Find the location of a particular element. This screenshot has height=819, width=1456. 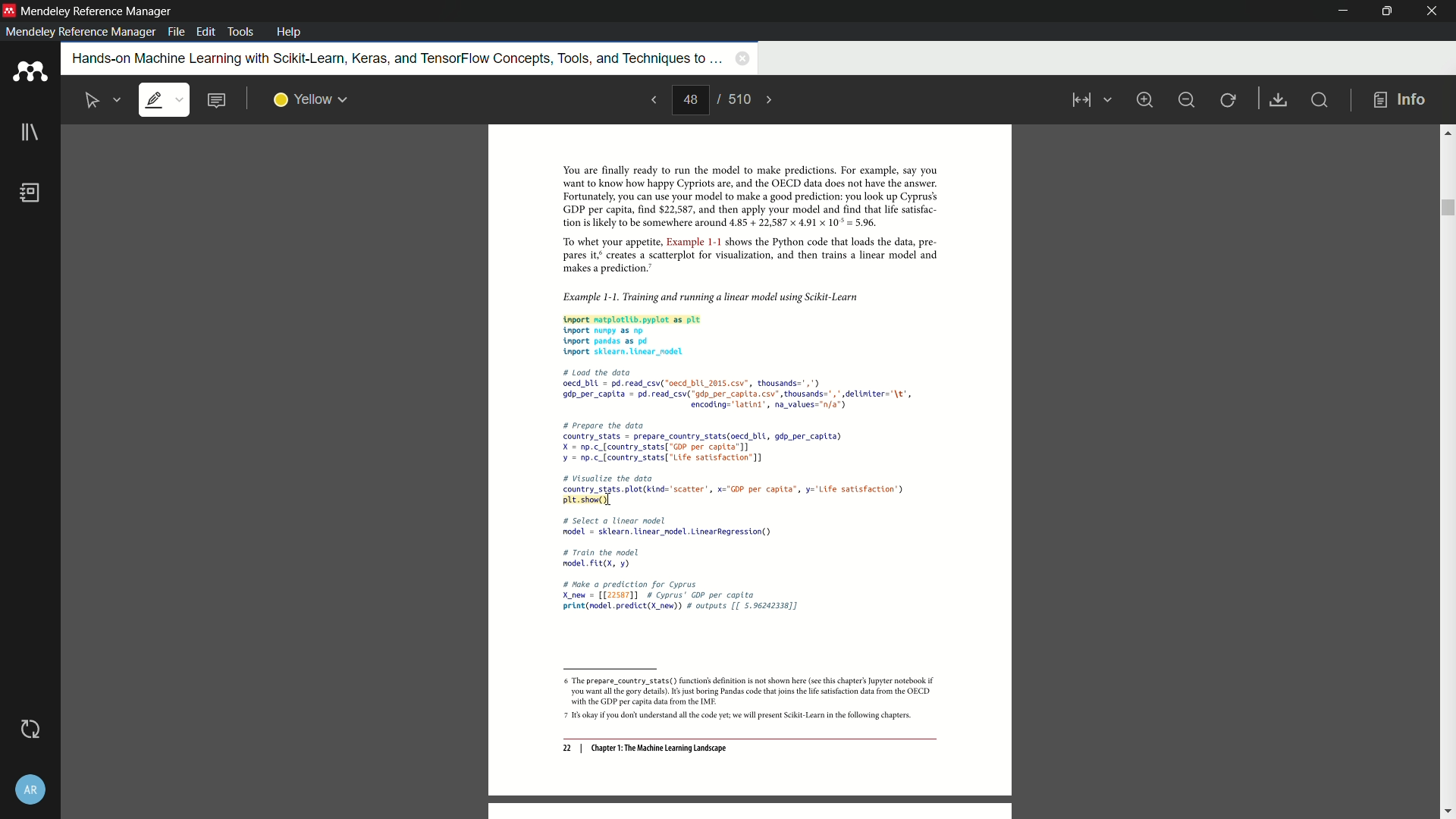

zoom in is located at coordinates (1144, 99).